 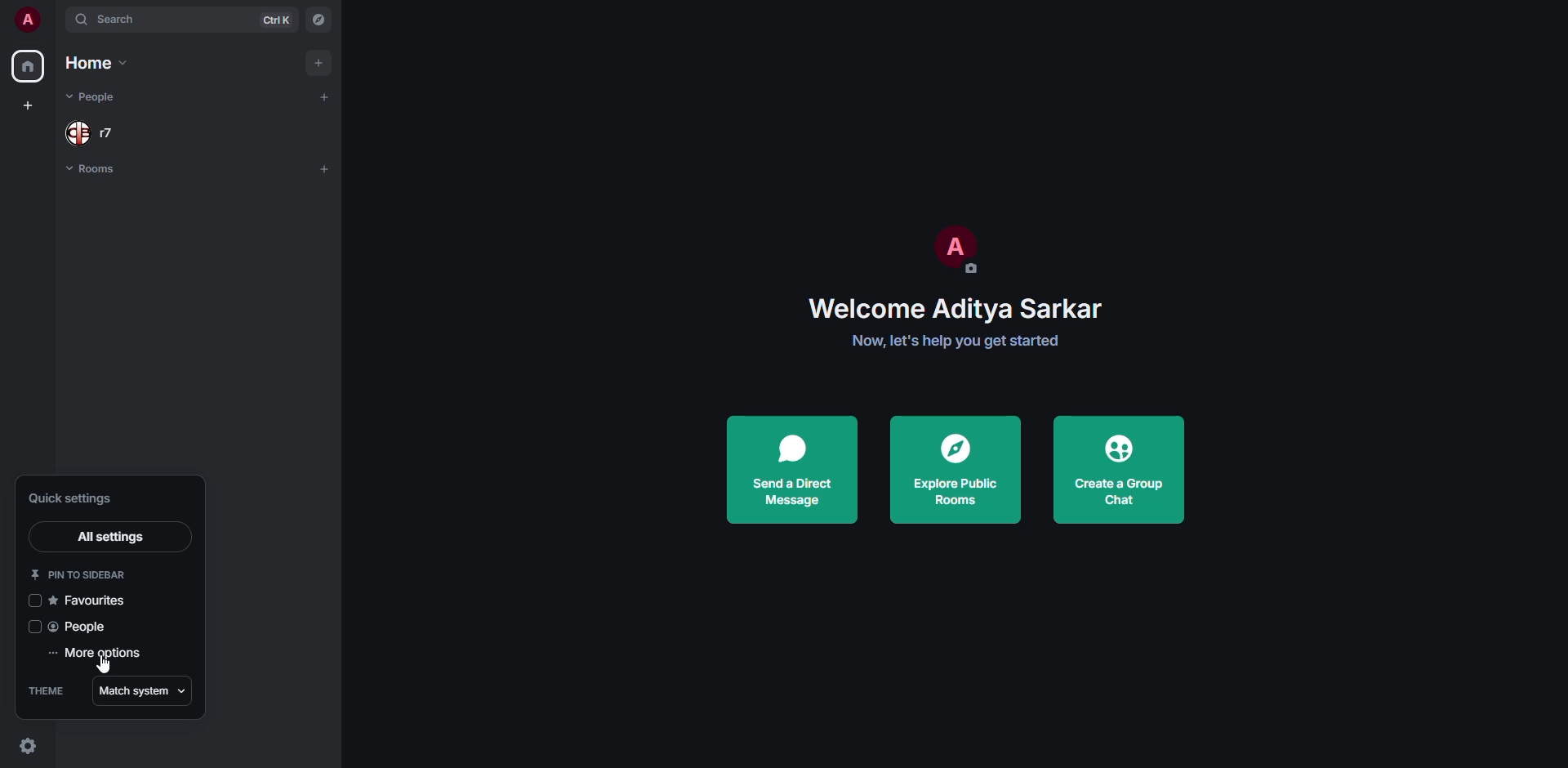 I want to click on pin to sidebar, so click(x=75, y=574).